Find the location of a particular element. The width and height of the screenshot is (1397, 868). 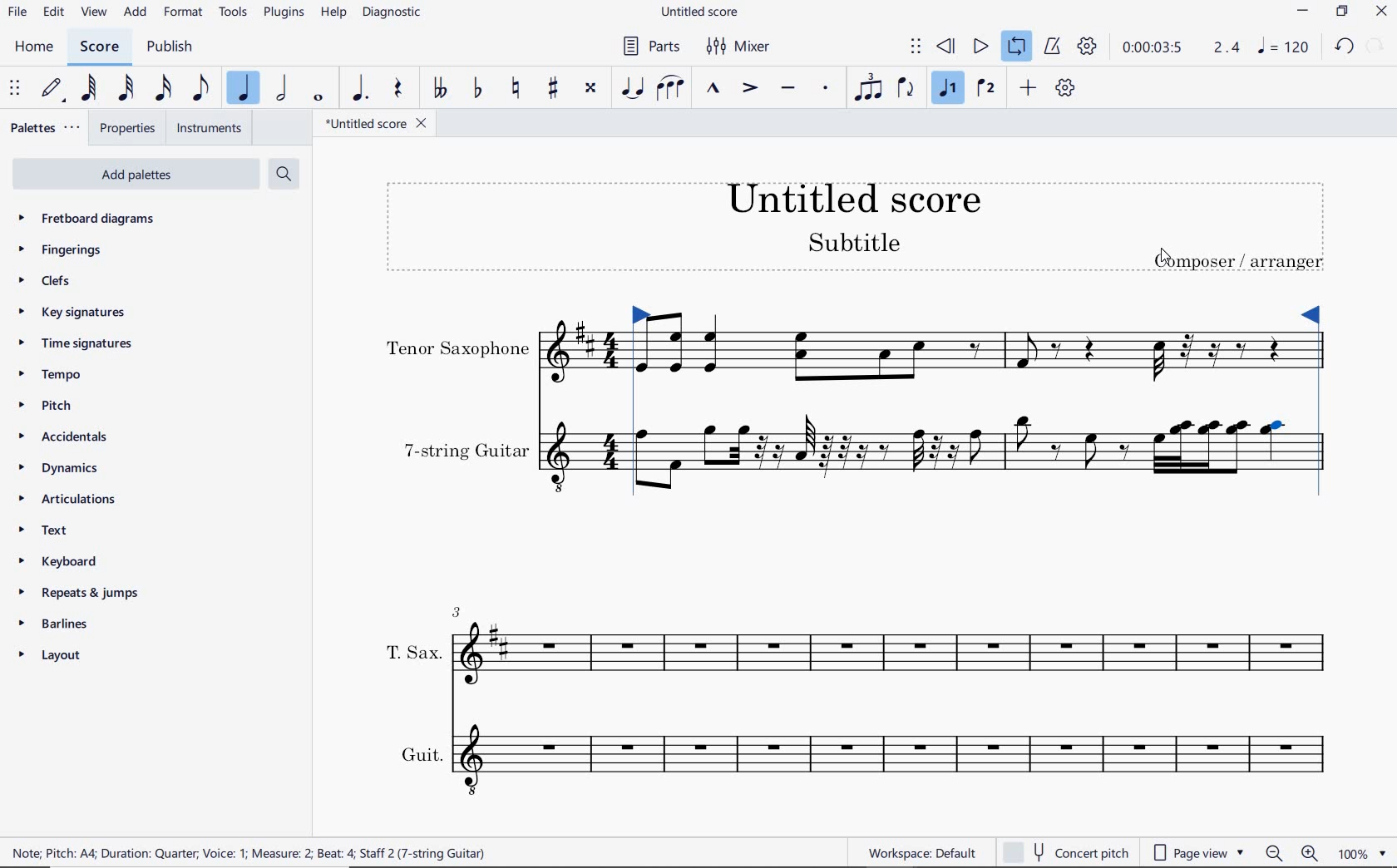

REPEATS & JUMPS is located at coordinates (81, 595).